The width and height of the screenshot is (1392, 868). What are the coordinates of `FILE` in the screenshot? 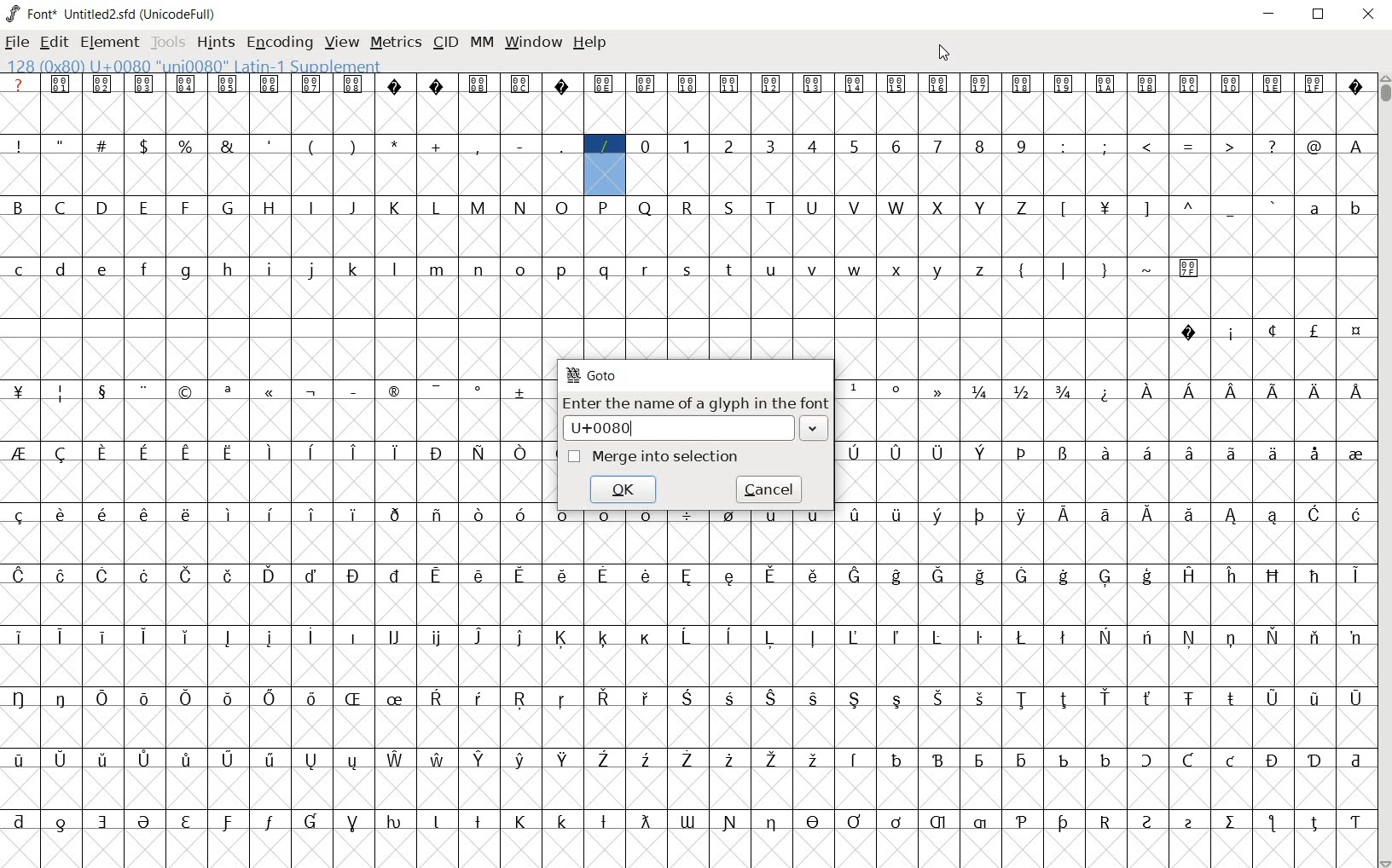 It's located at (18, 42).